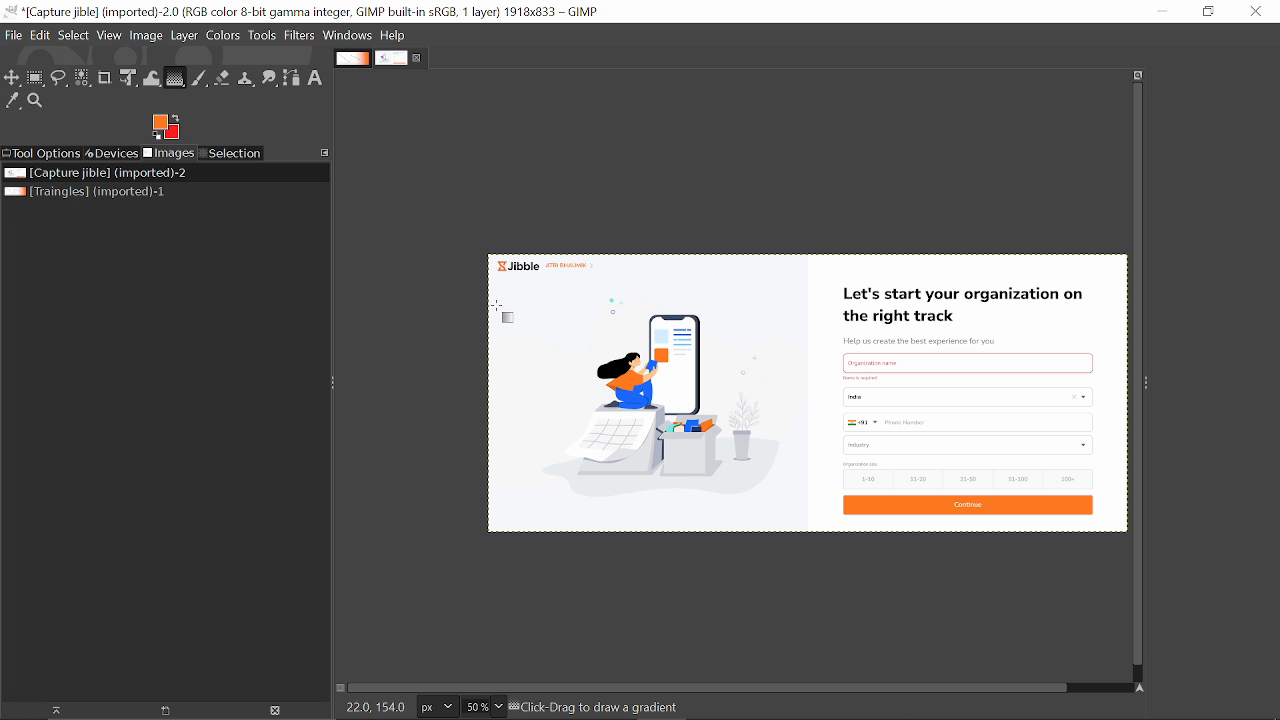 This screenshot has height=720, width=1280. I want to click on Units of the image, so click(440, 707).